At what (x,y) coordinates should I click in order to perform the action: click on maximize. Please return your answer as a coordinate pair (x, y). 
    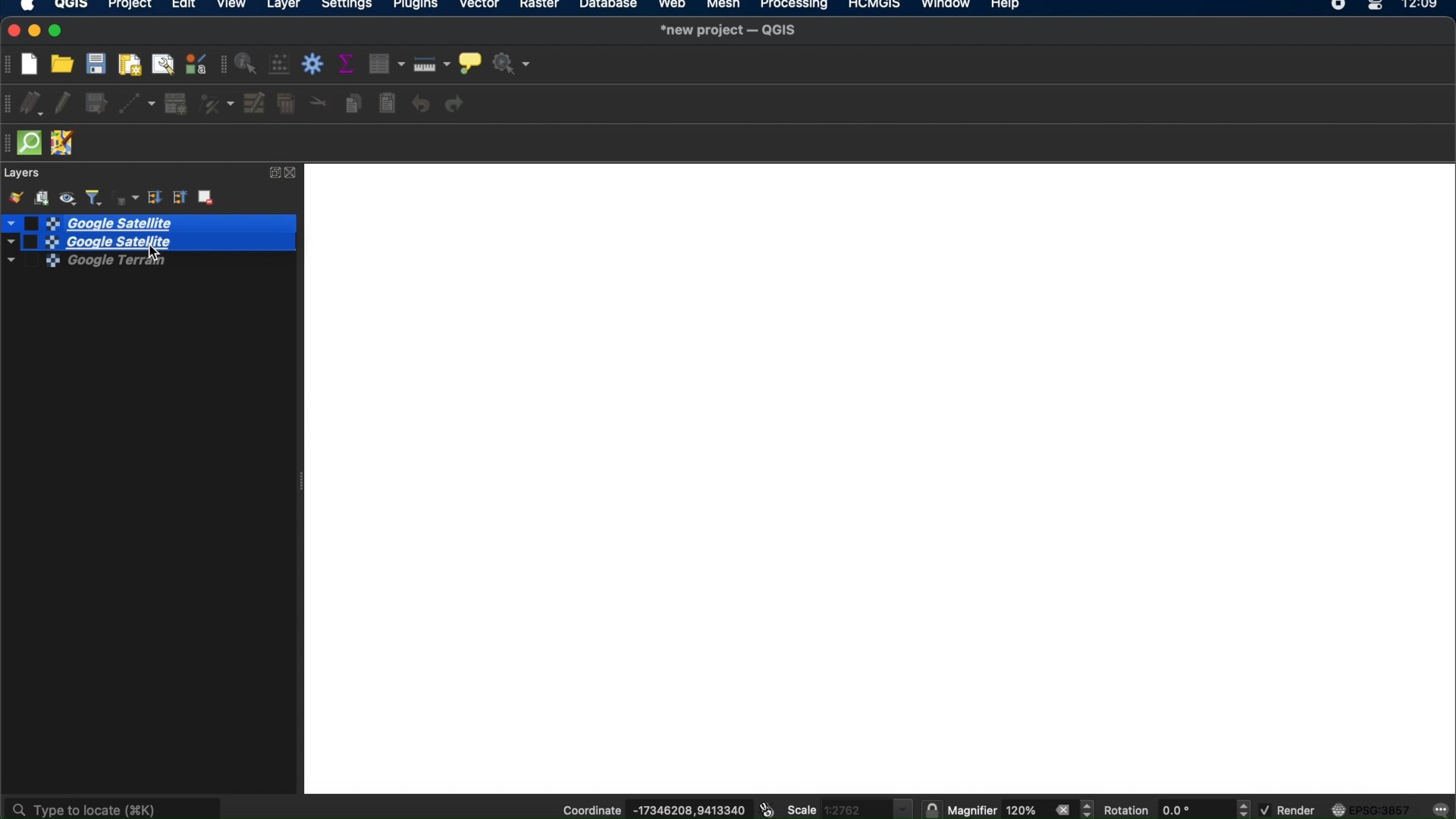
    Looking at the image, I should click on (58, 31).